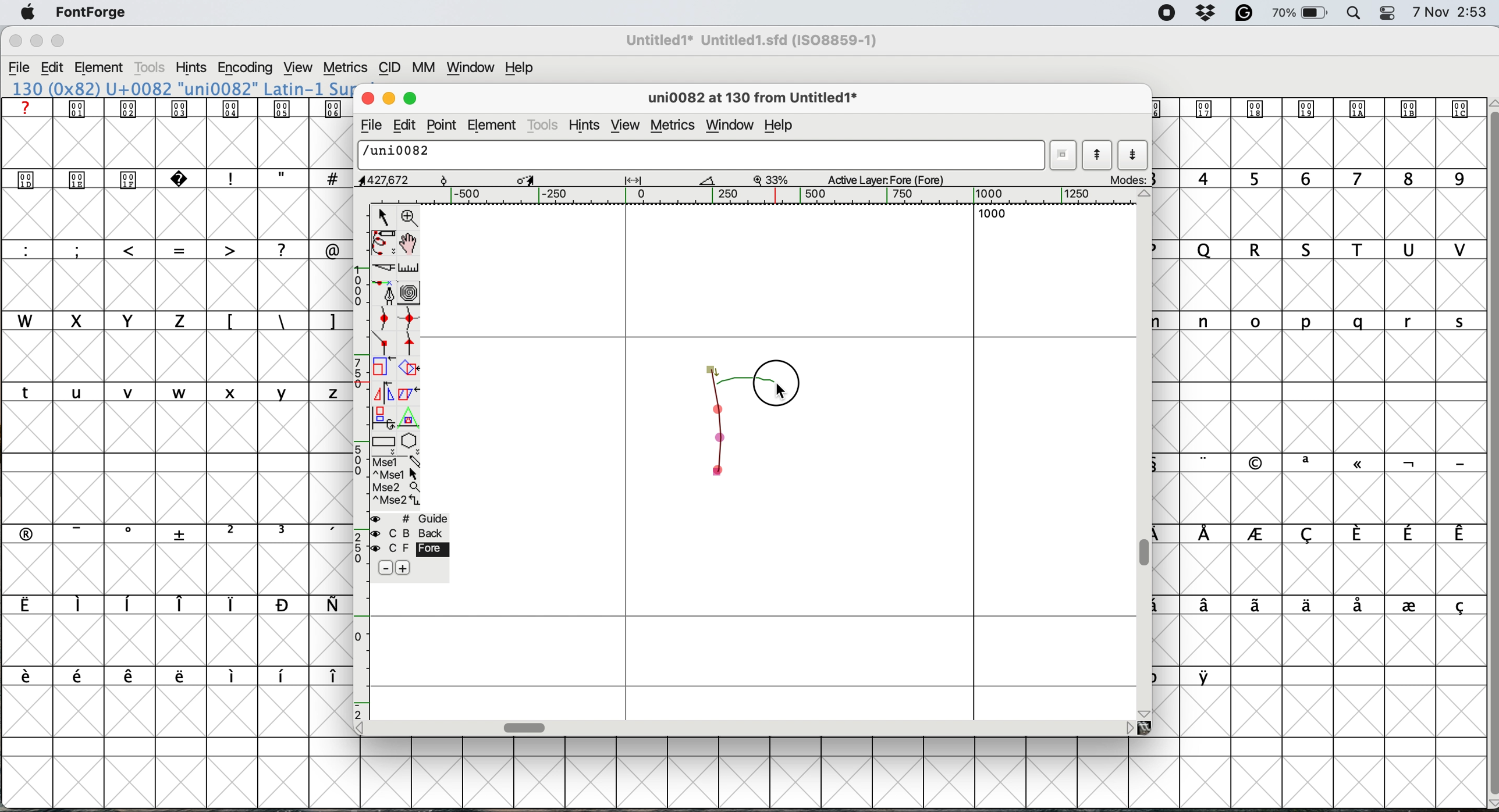 This screenshot has width=1499, height=812. I want to click on special characters, so click(1310, 462).